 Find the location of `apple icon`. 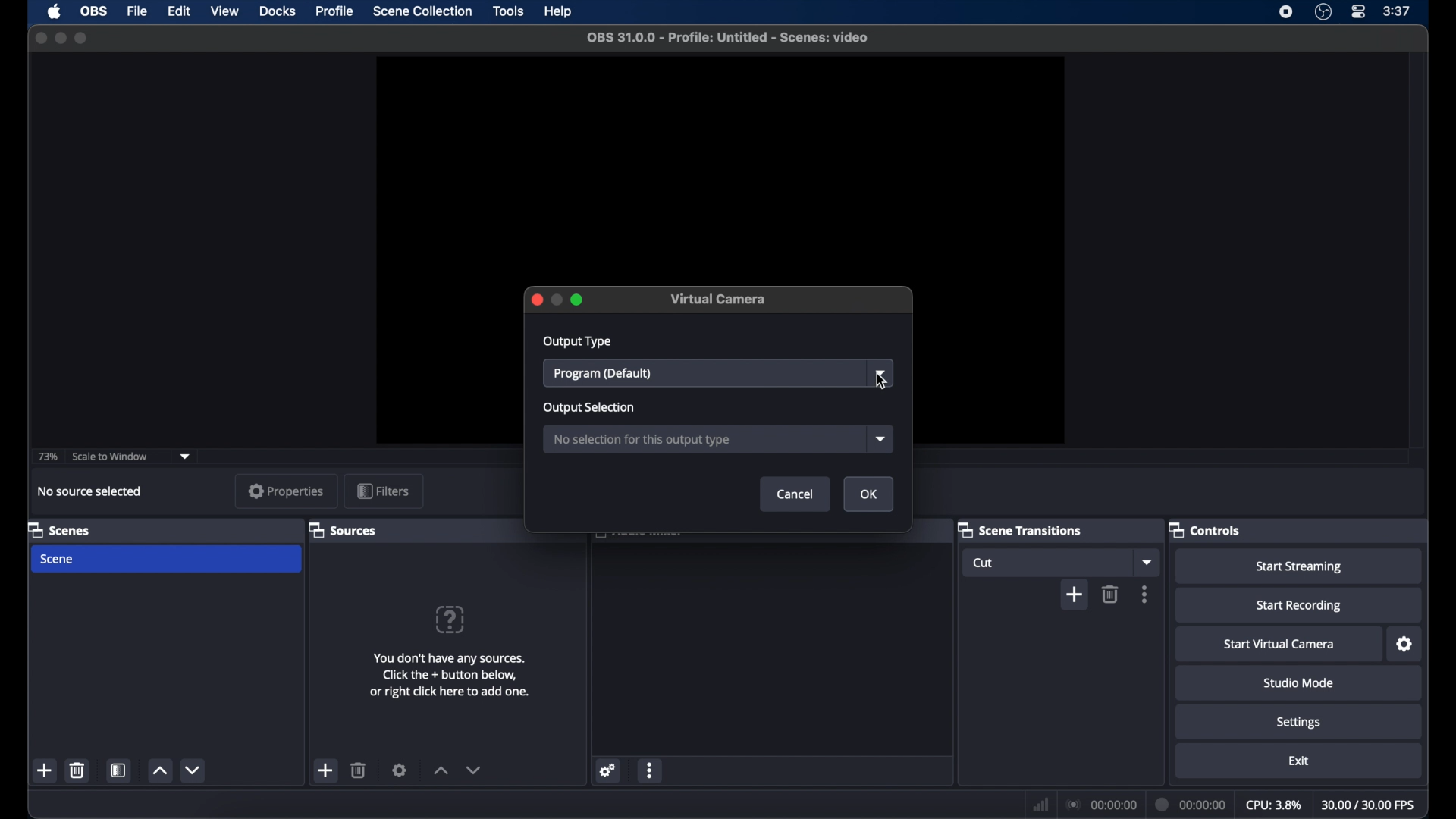

apple icon is located at coordinates (55, 12).